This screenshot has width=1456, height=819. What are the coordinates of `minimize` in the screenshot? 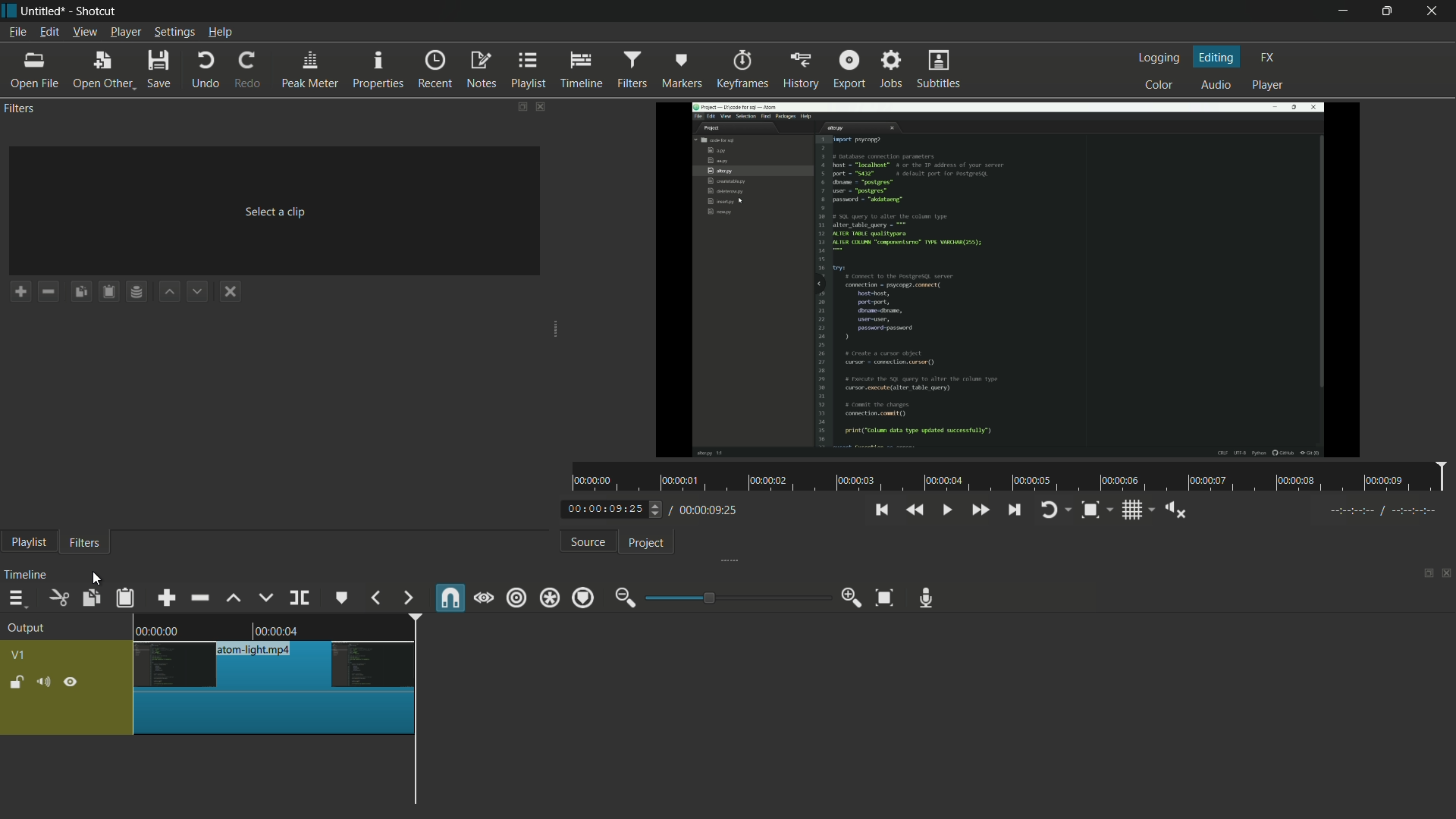 It's located at (1341, 11).